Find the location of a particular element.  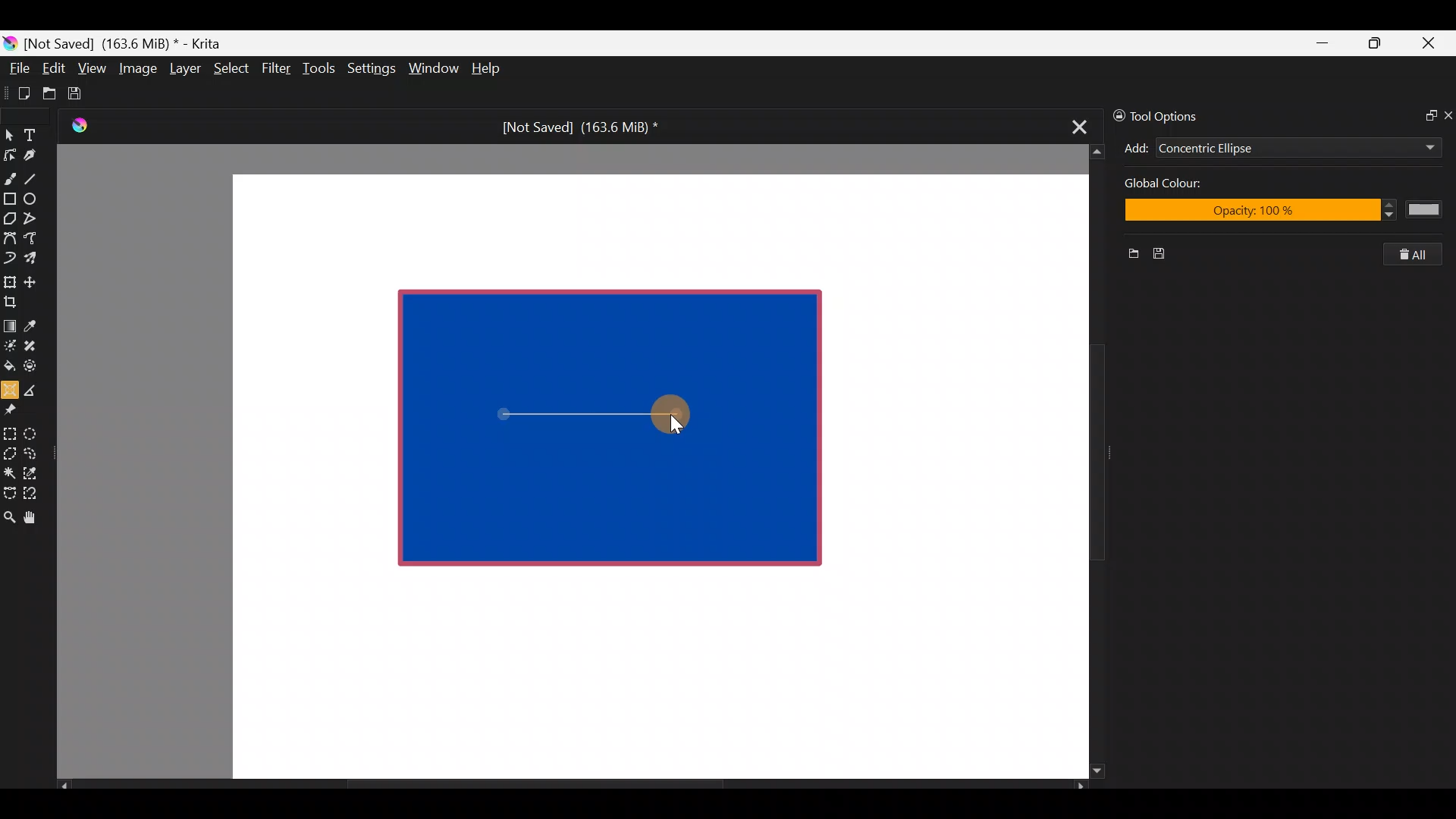

Measure the distance between two points is located at coordinates (35, 385).